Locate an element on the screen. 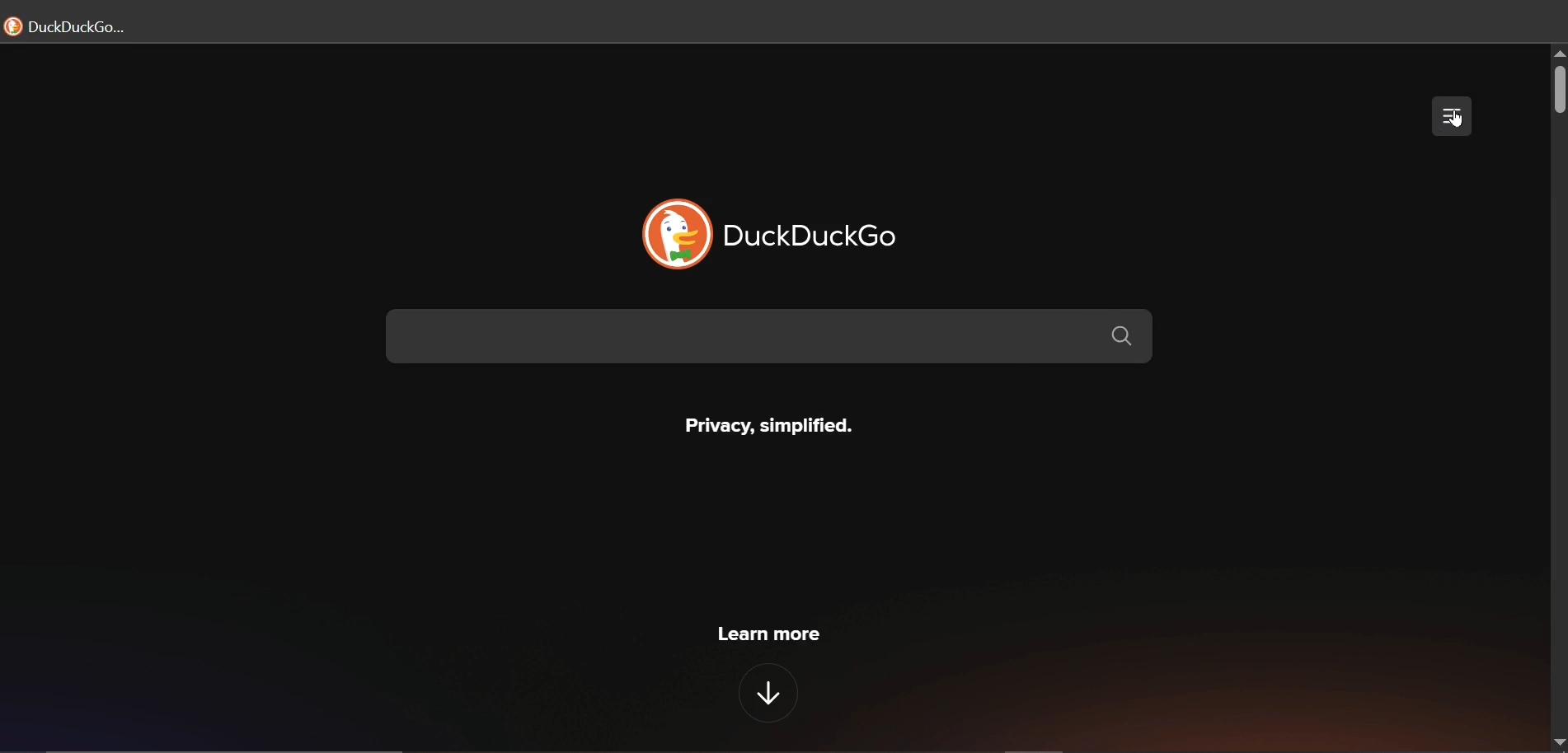  scroll up is located at coordinates (1558, 54).